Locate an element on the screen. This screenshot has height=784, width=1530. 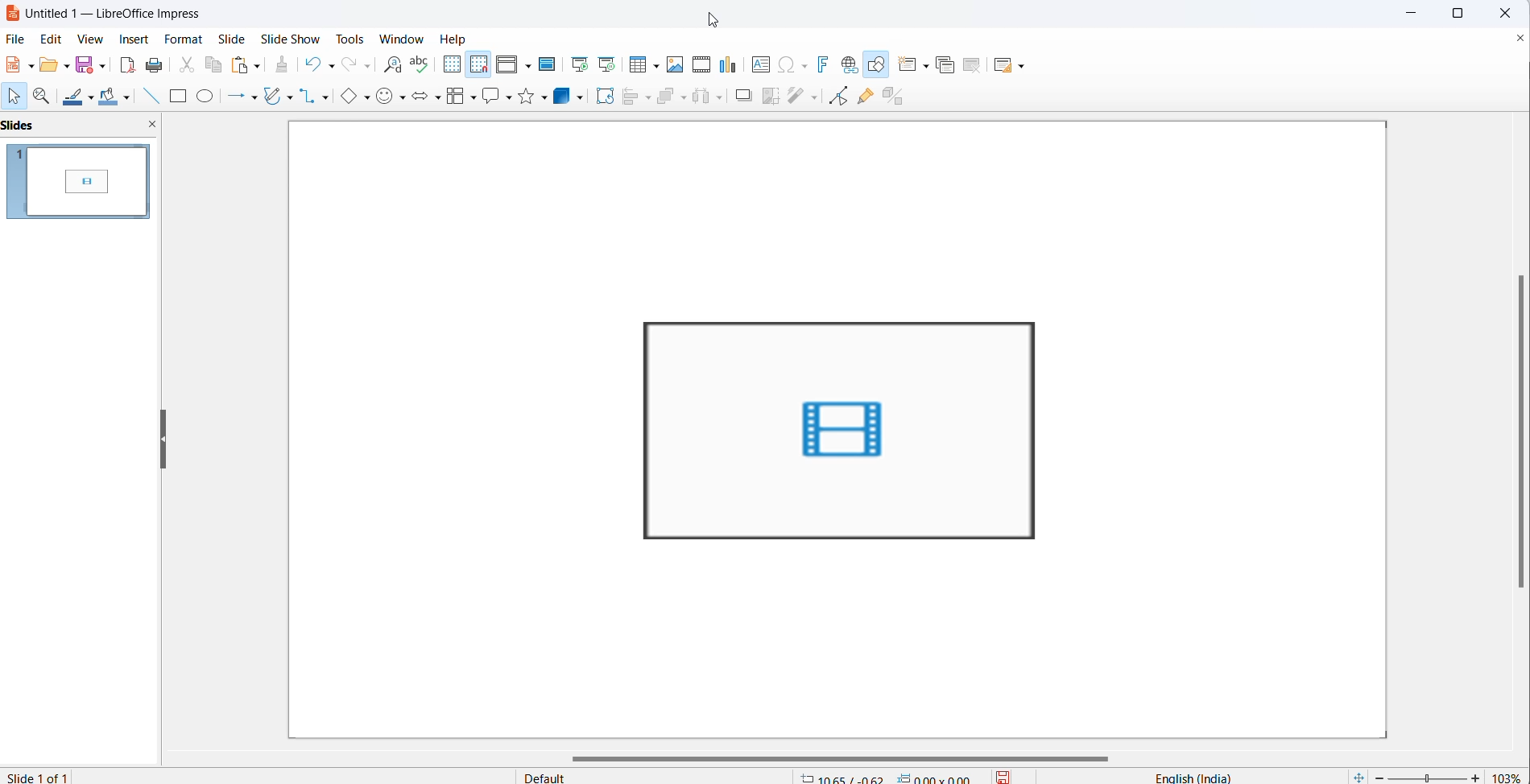
show gluepoint function is located at coordinates (868, 98).